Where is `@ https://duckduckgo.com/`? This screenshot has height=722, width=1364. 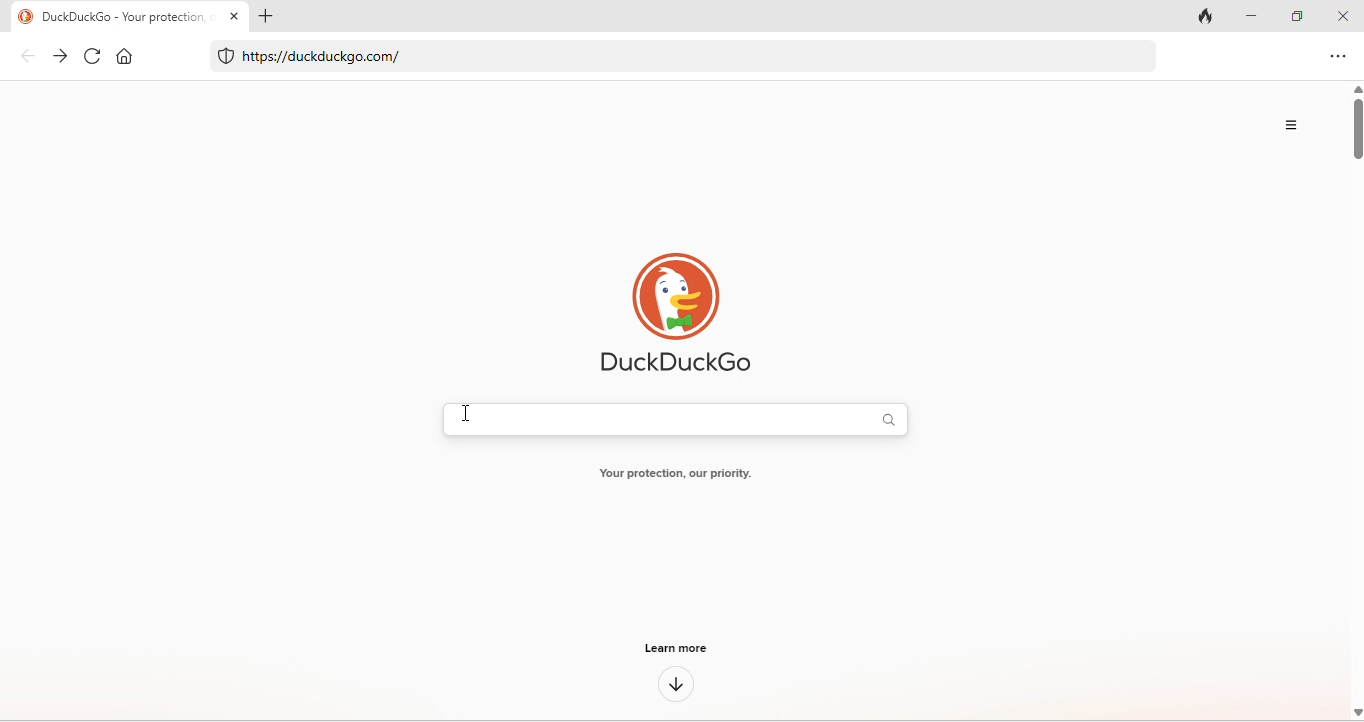 @ https://duckduckgo.com/ is located at coordinates (323, 56).